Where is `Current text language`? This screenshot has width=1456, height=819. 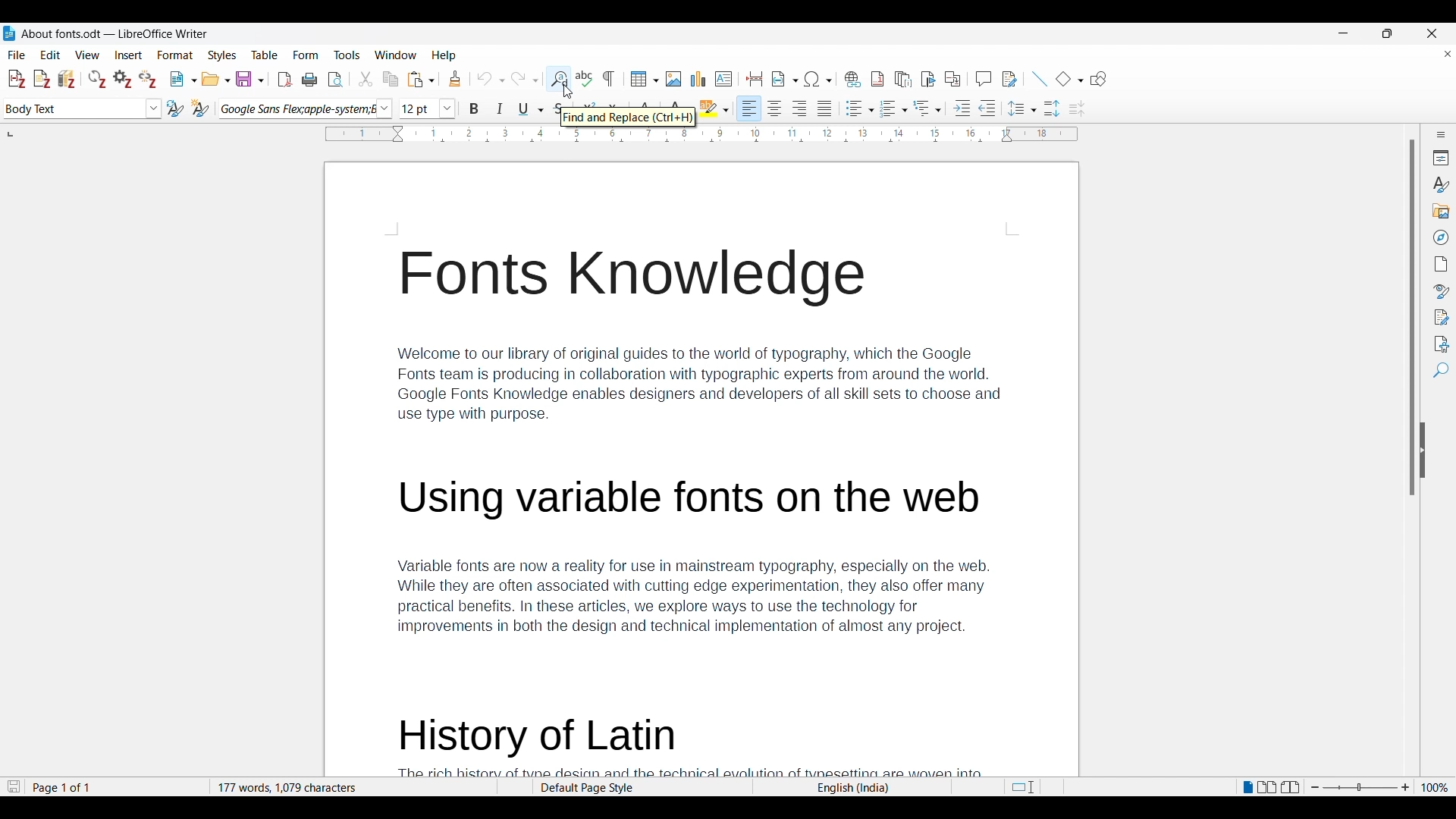 Current text language is located at coordinates (852, 788).